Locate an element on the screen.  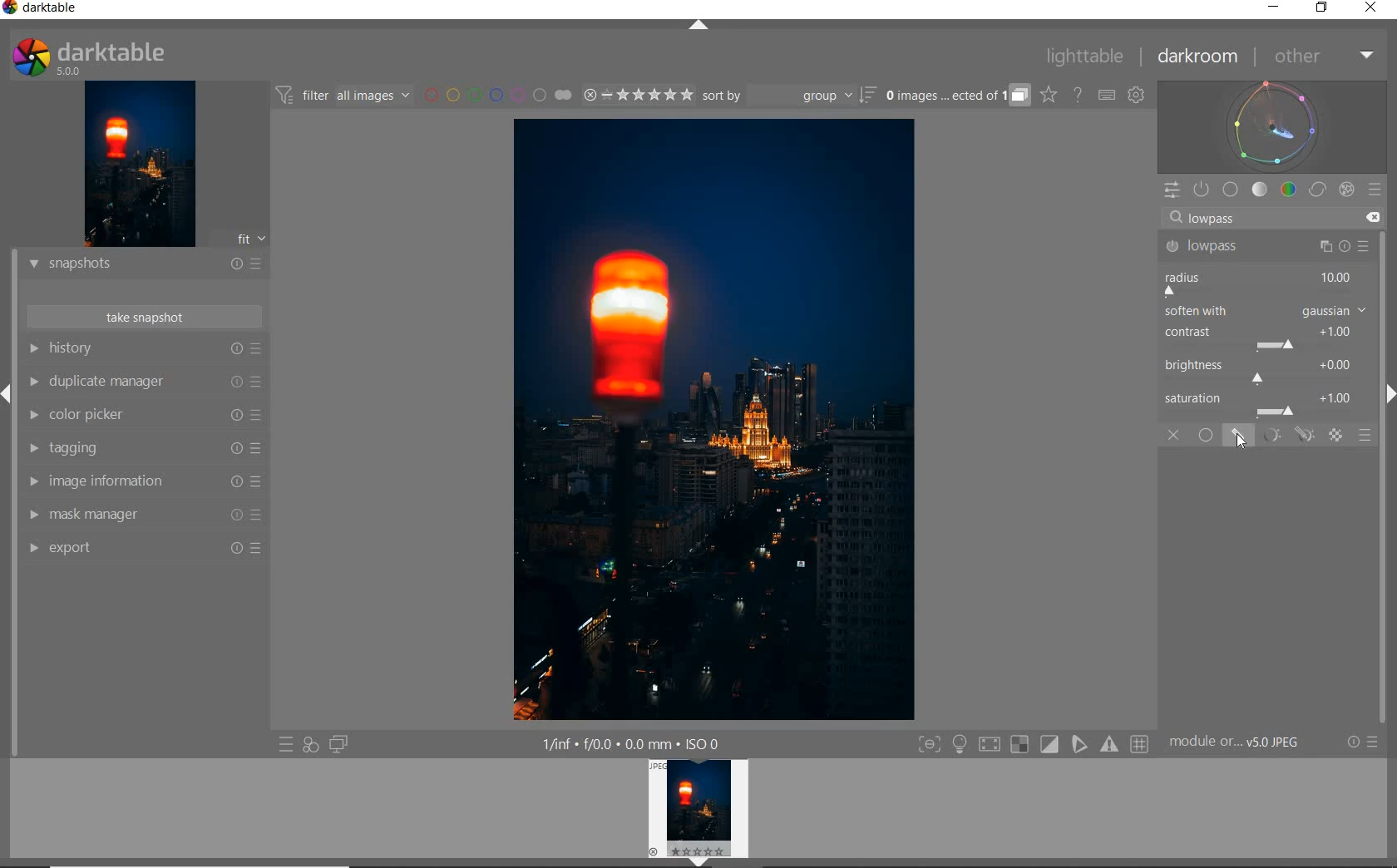
TAGGING is located at coordinates (112, 450).